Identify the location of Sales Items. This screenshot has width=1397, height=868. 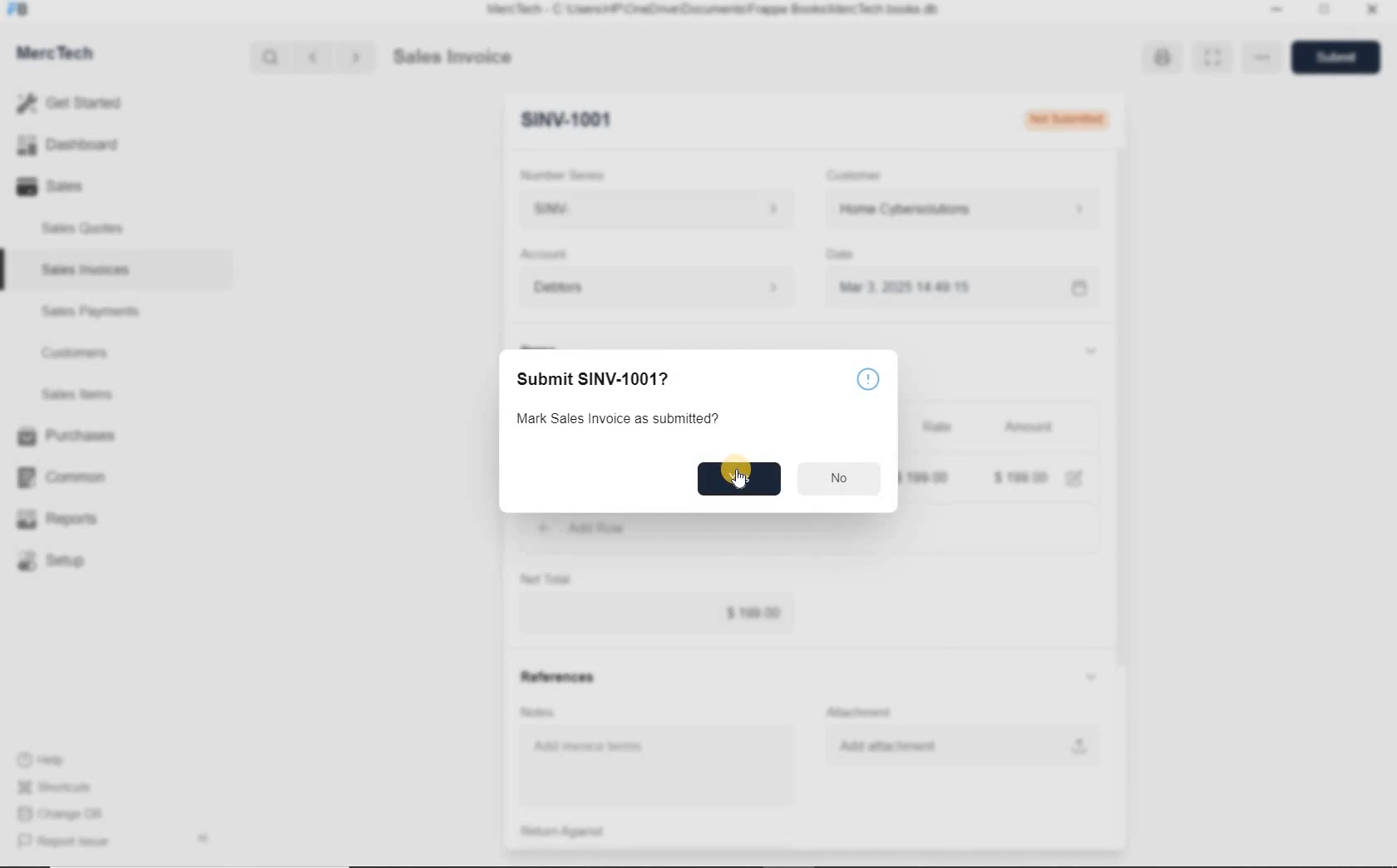
(88, 394).